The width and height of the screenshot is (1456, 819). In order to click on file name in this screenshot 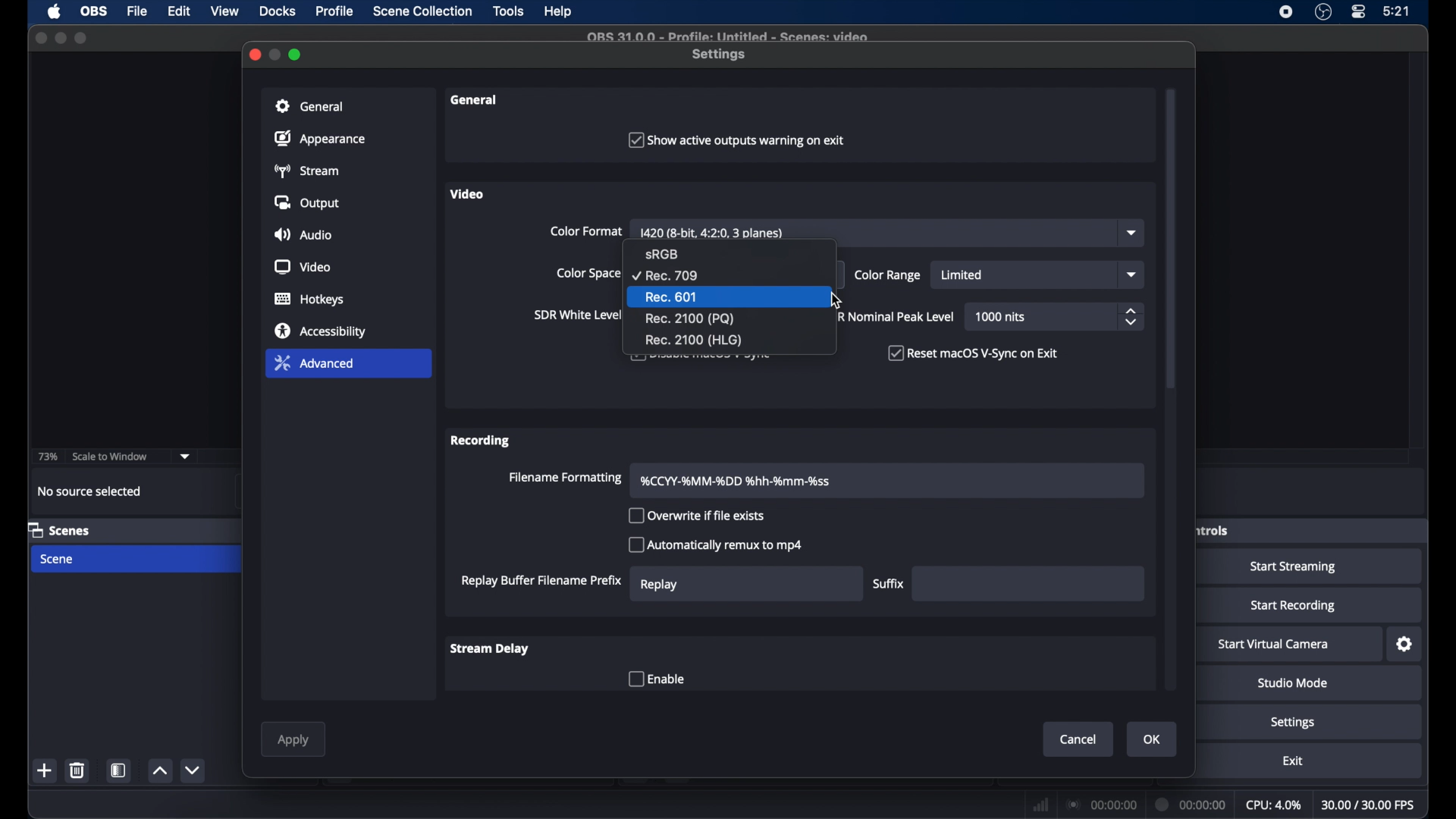, I will do `click(728, 35)`.